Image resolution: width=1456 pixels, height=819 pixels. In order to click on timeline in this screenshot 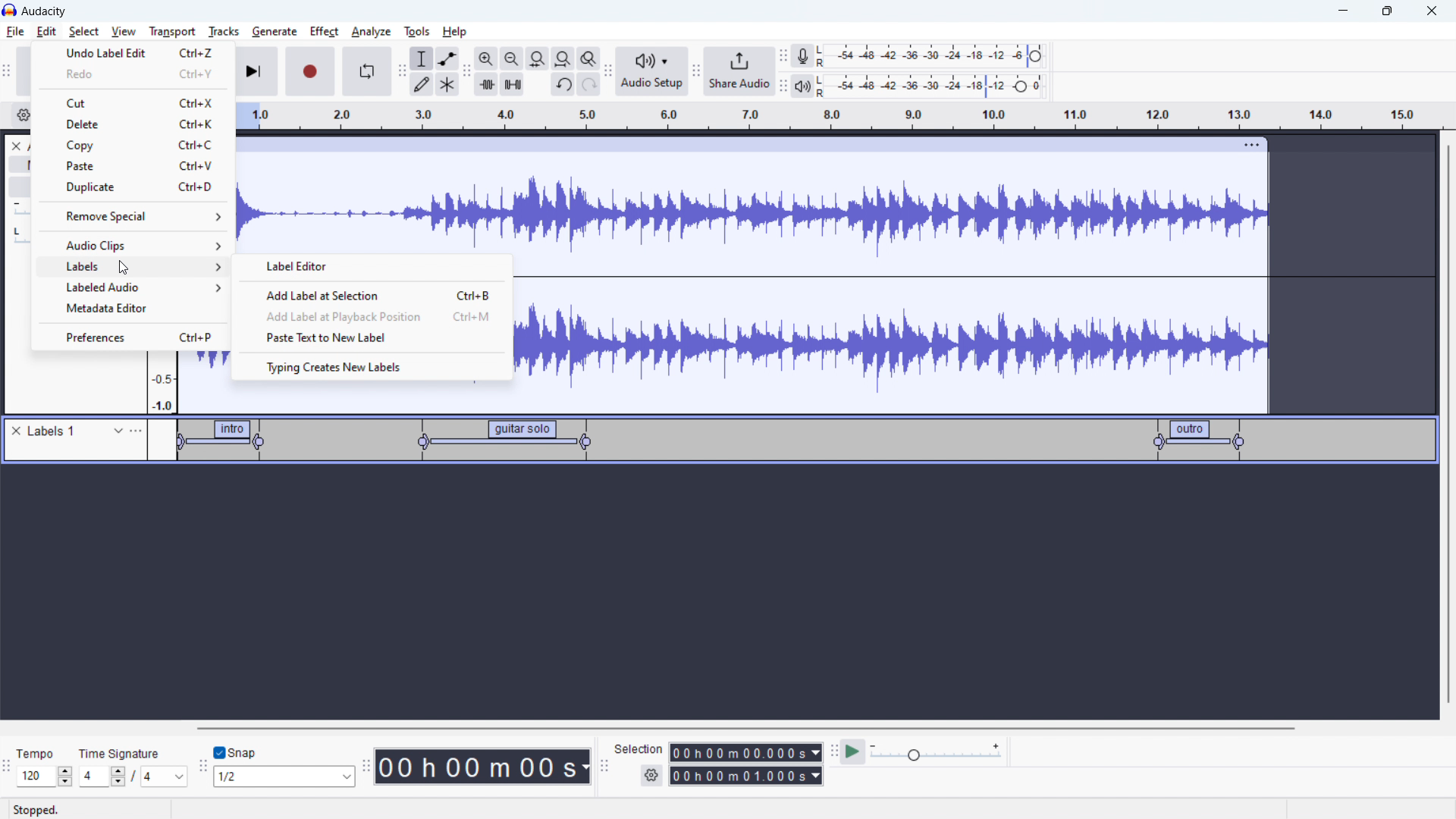, I will do `click(839, 116)`.